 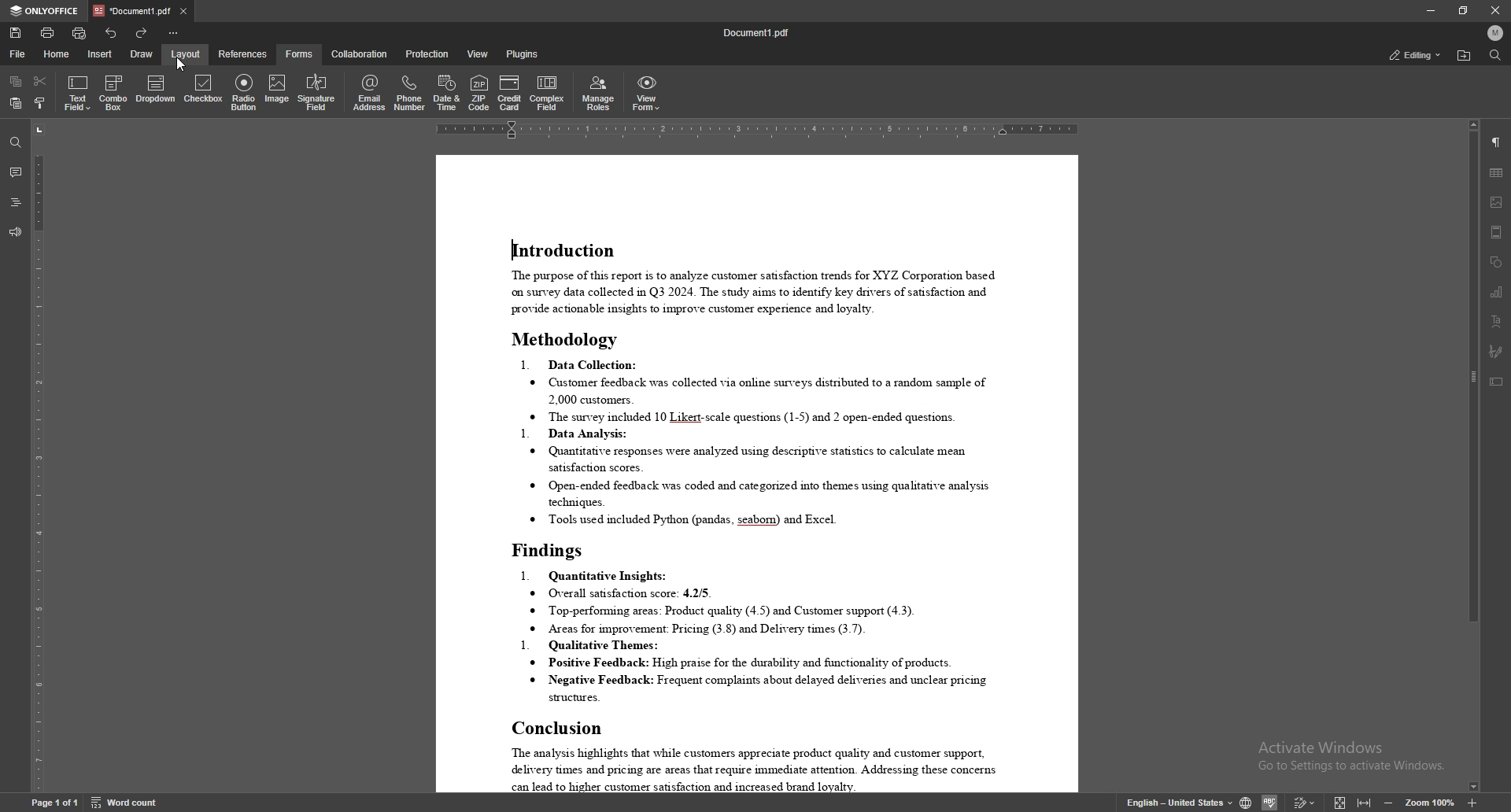 What do you see at coordinates (1414, 55) in the screenshot?
I see `status` at bounding box center [1414, 55].